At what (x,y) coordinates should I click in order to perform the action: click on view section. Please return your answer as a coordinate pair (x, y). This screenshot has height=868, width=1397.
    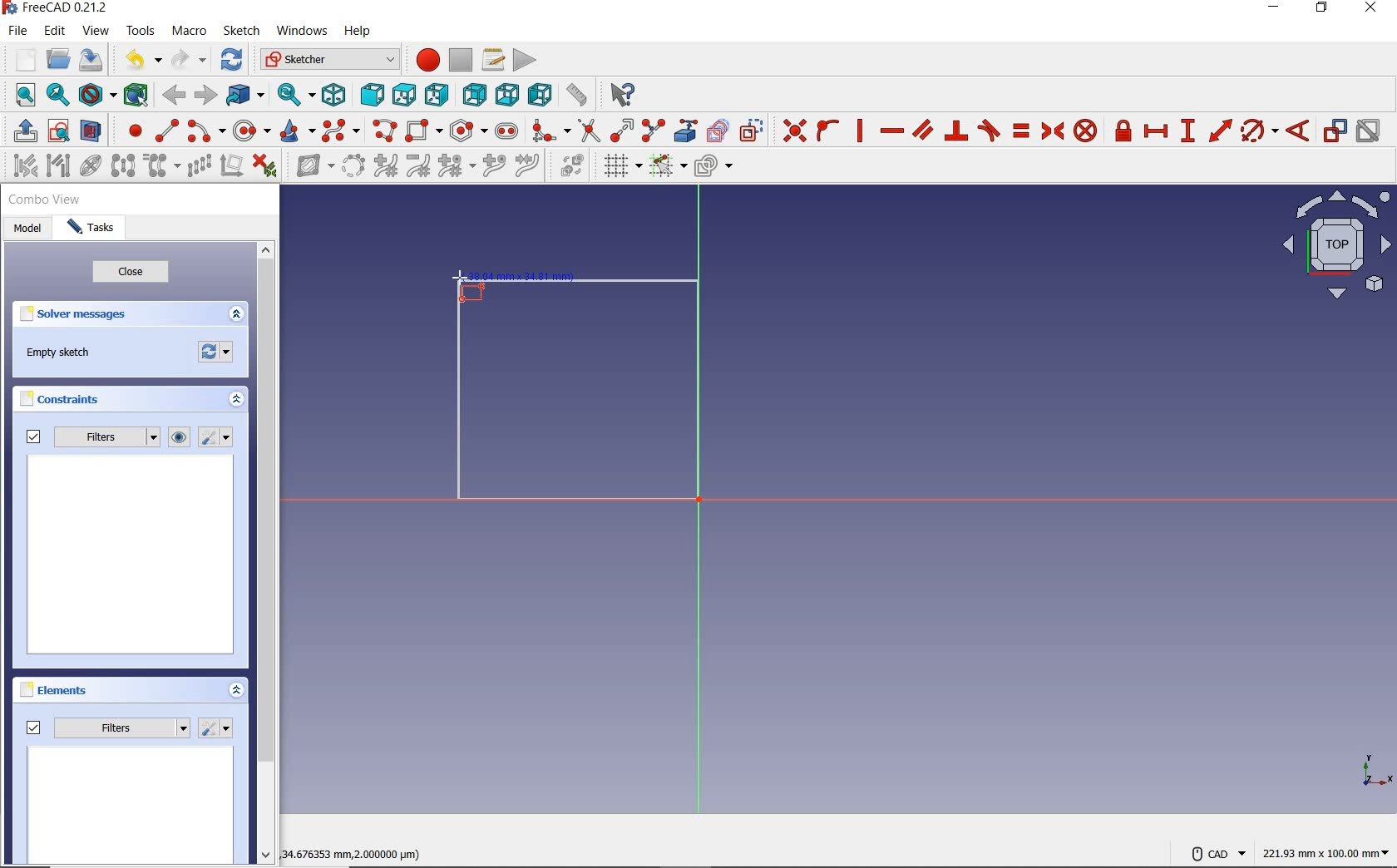
    Looking at the image, I should click on (91, 131).